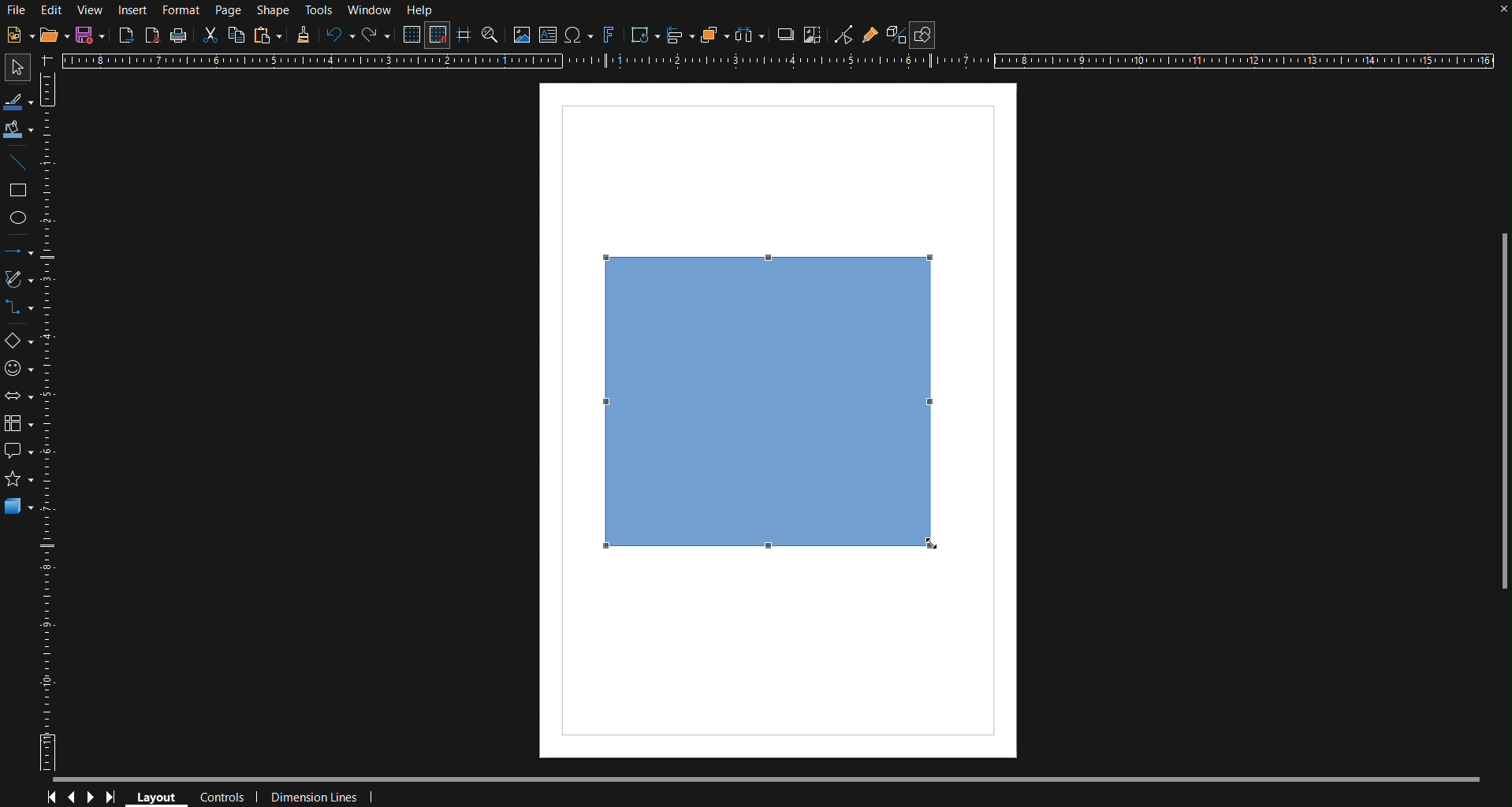  What do you see at coordinates (115, 798) in the screenshot?
I see `Last` at bounding box center [115, 798].